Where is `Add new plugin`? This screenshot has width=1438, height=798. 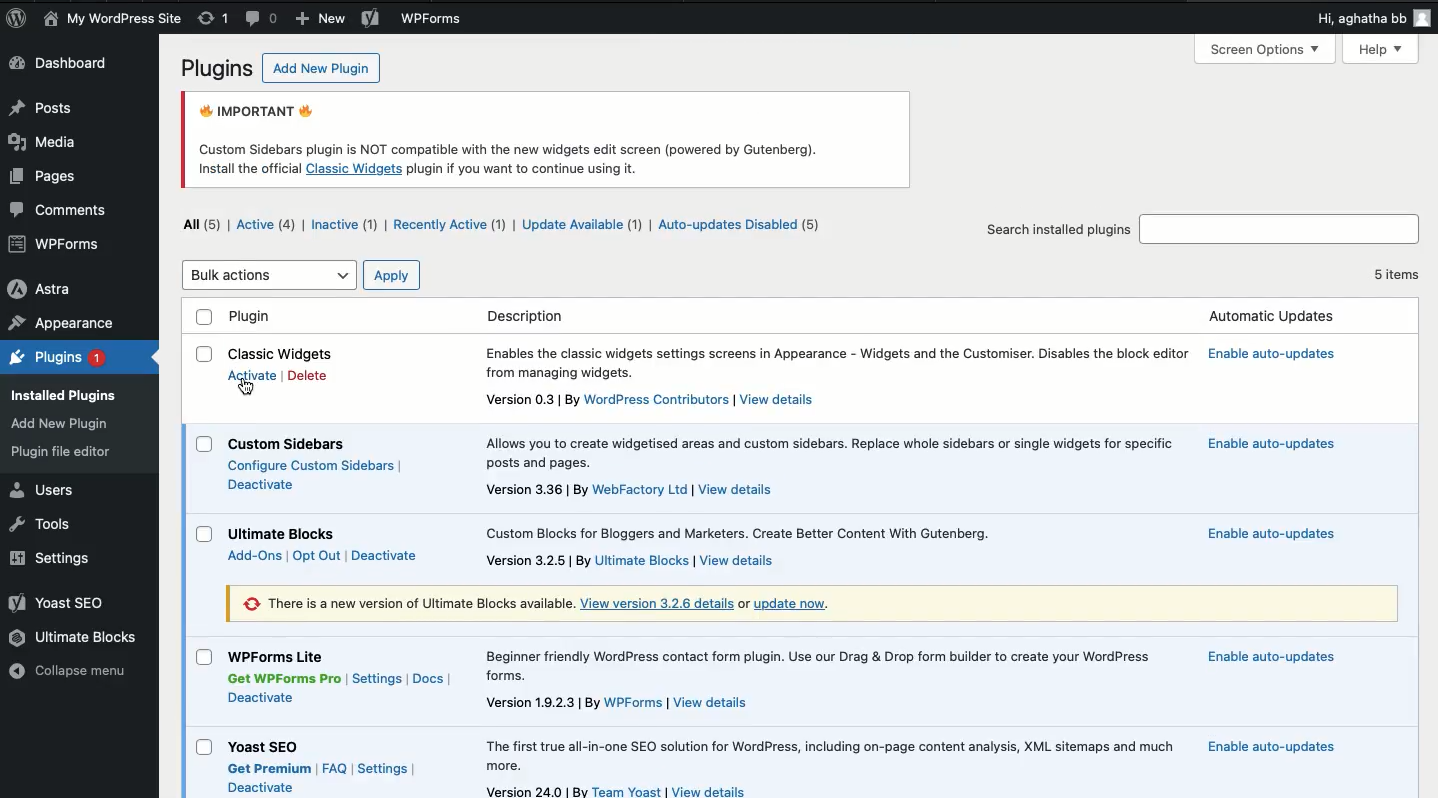
Add new plugin is located at coordinates (316, 70).